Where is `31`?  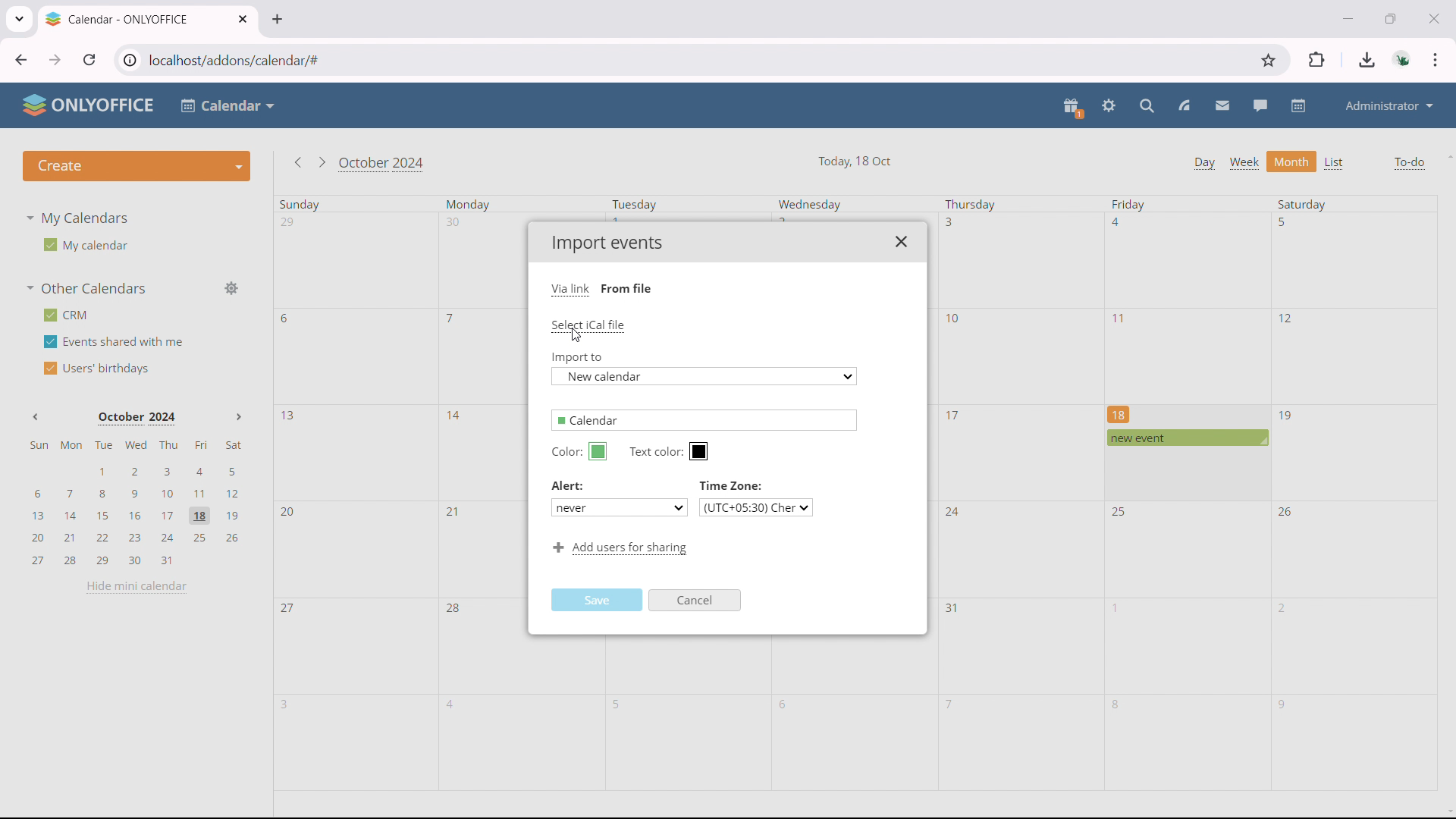 31 is located at coordinates (952, 608).